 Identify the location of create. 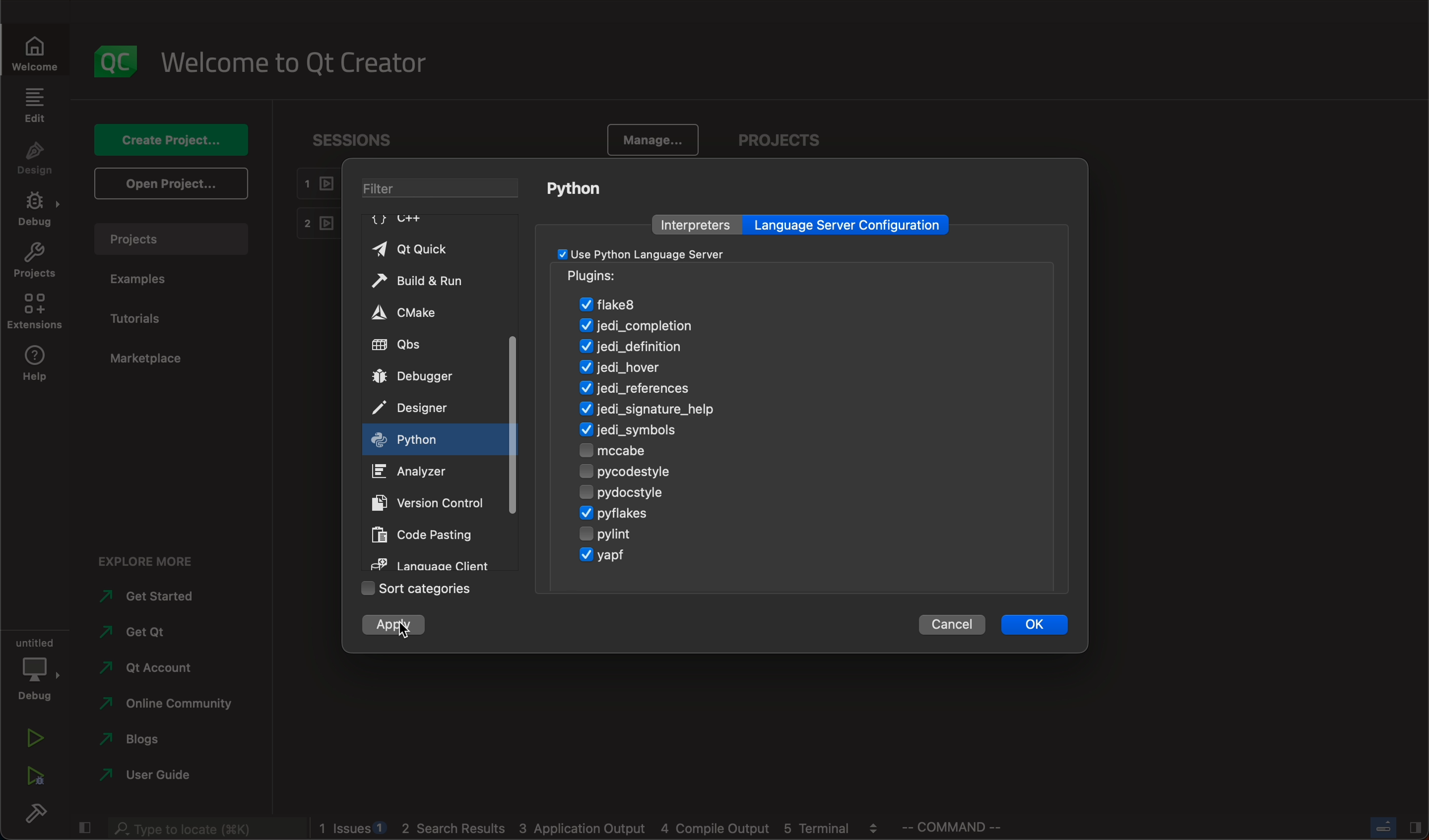
(168, 139).